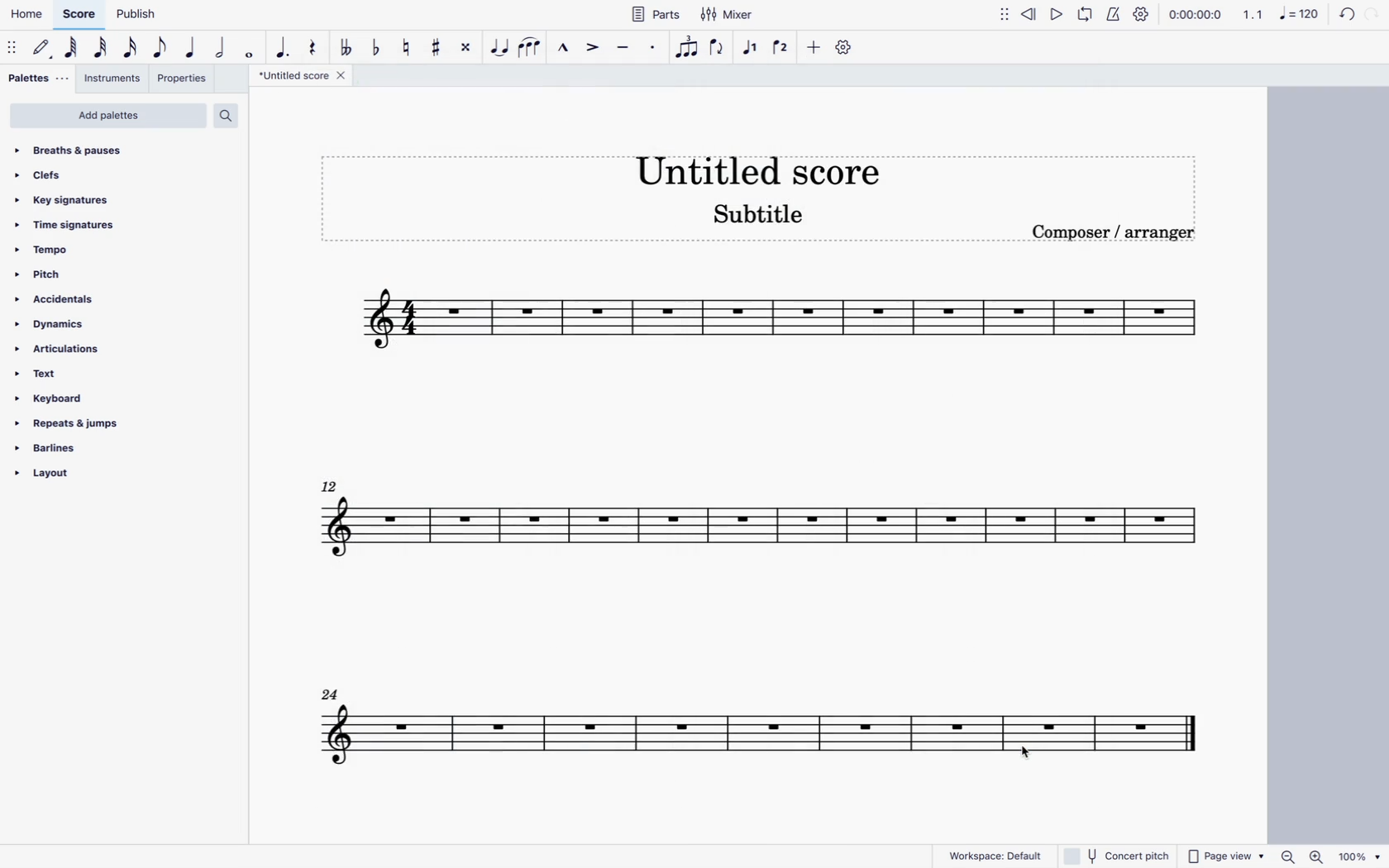 Image resolution: width=1389 pixels, height=868 pixels. I want to click on voice 1, so click(748, 50).